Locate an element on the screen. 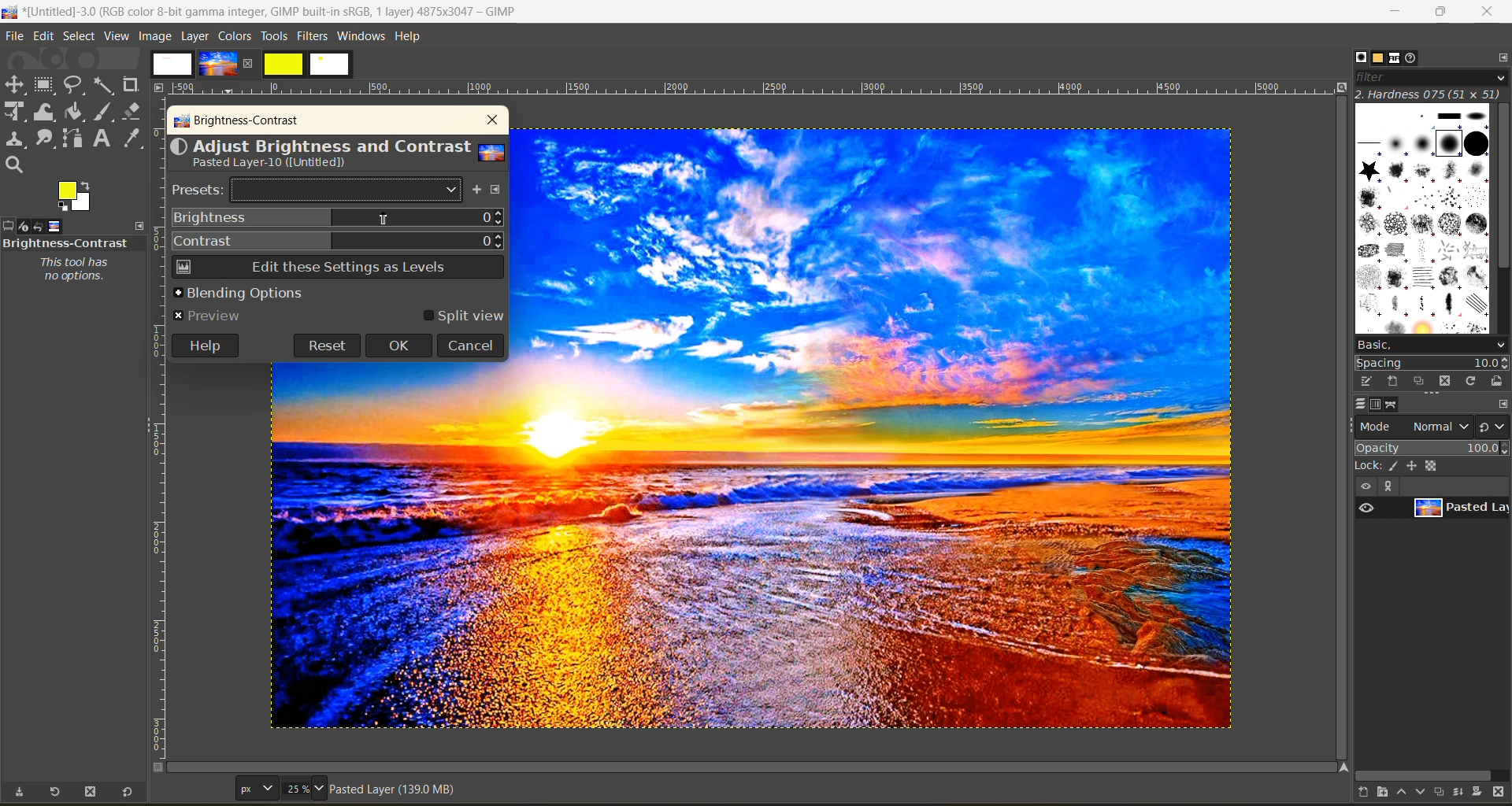 The height and width of the screenshot is (806, 1512). layer is located at coordinates (197, 35).